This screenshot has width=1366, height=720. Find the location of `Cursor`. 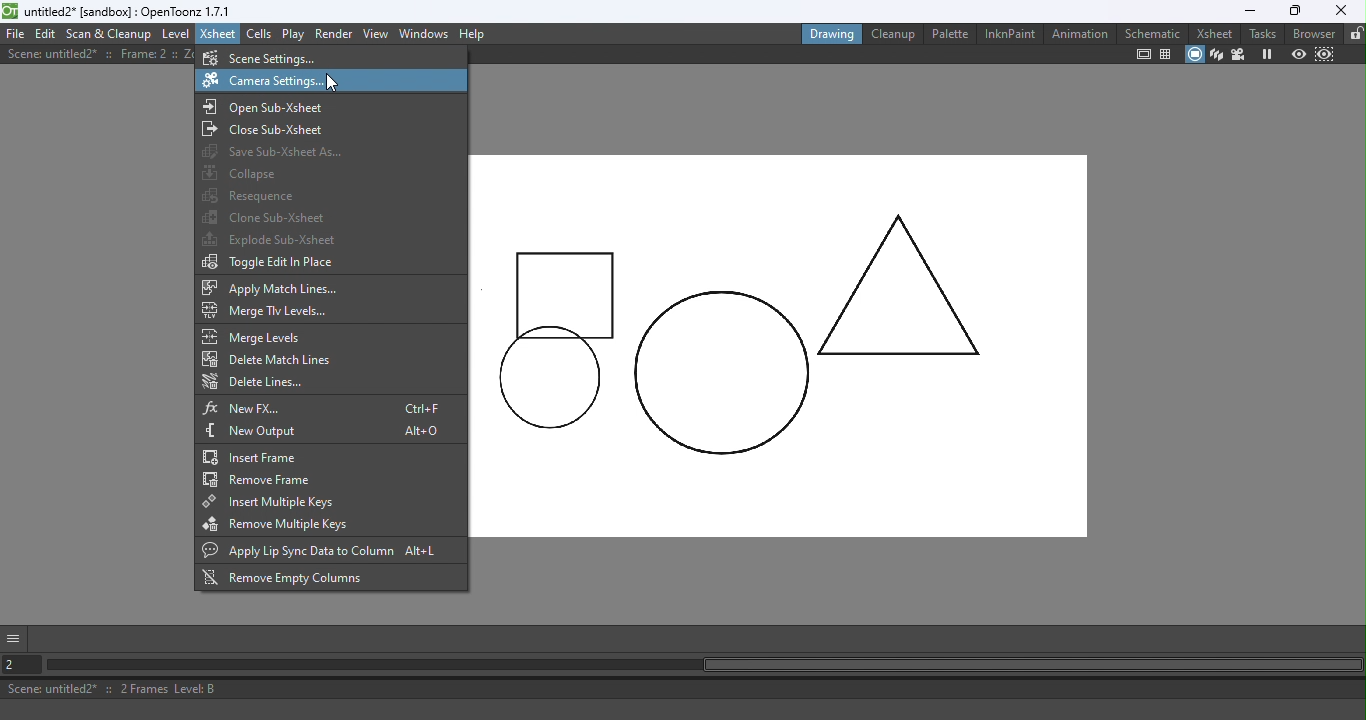

Cursor is located at coordinates (331, 82).